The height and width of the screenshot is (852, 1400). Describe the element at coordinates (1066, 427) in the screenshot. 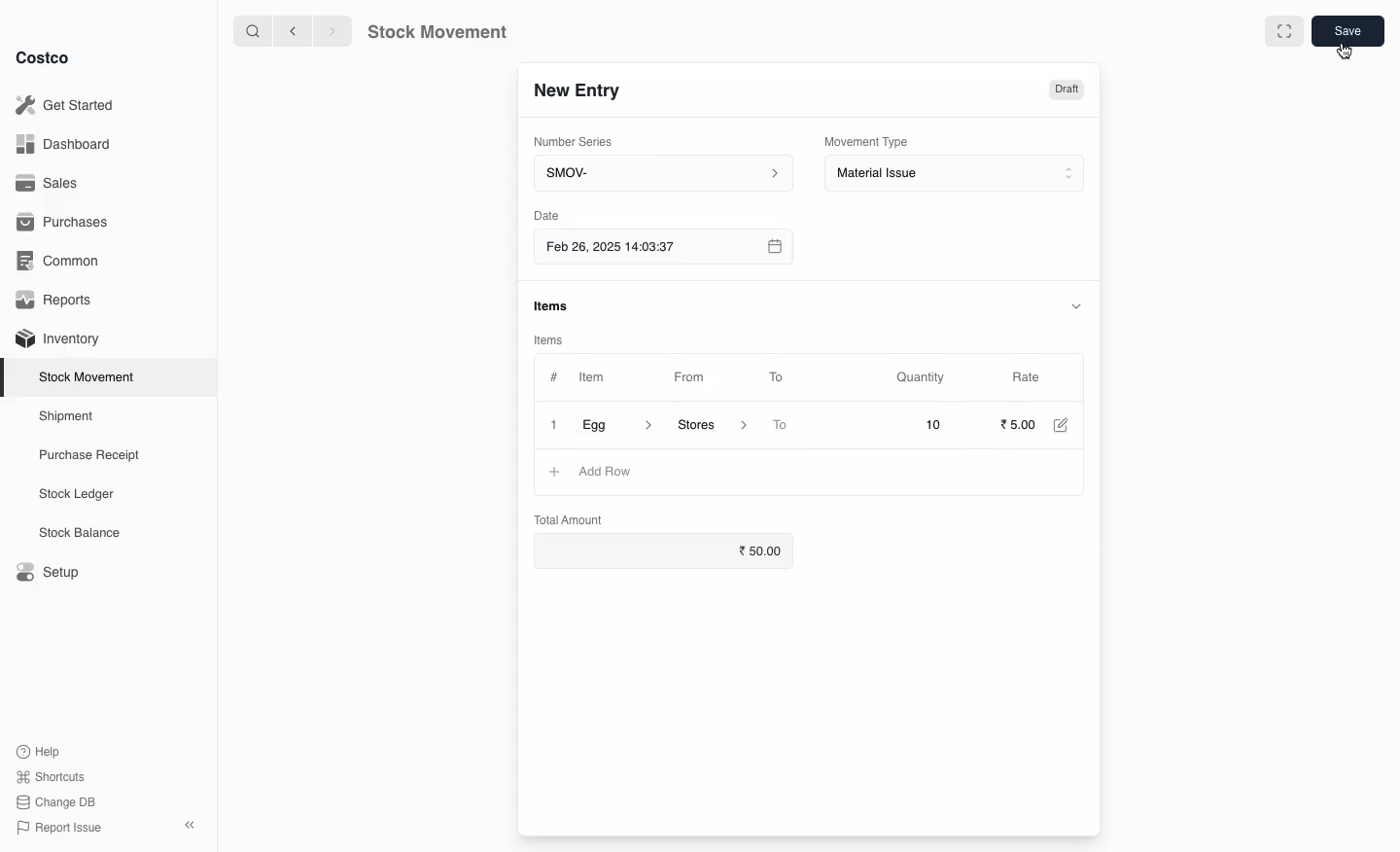

I see `Edit` at that location.